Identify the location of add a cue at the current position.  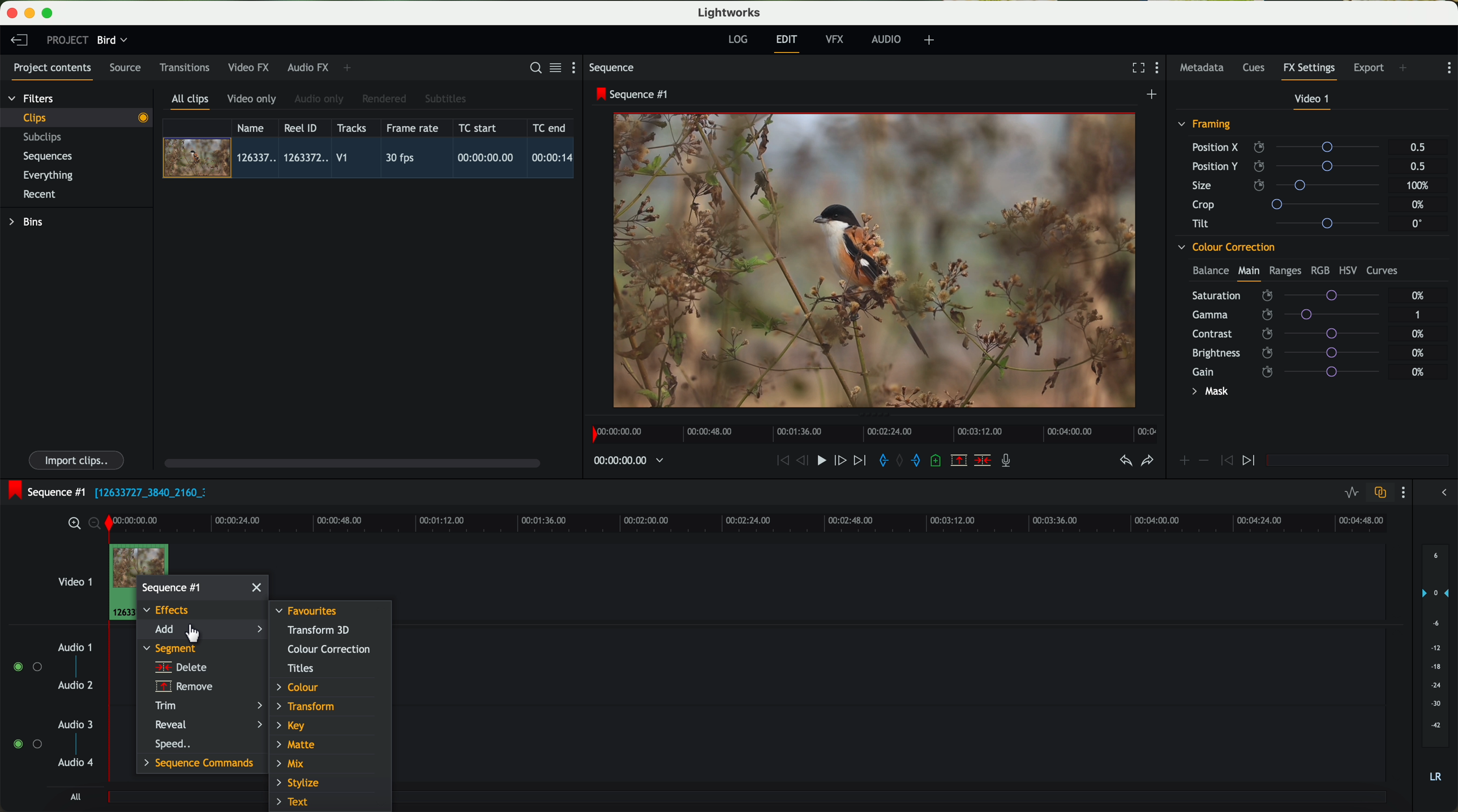
(937, 461).